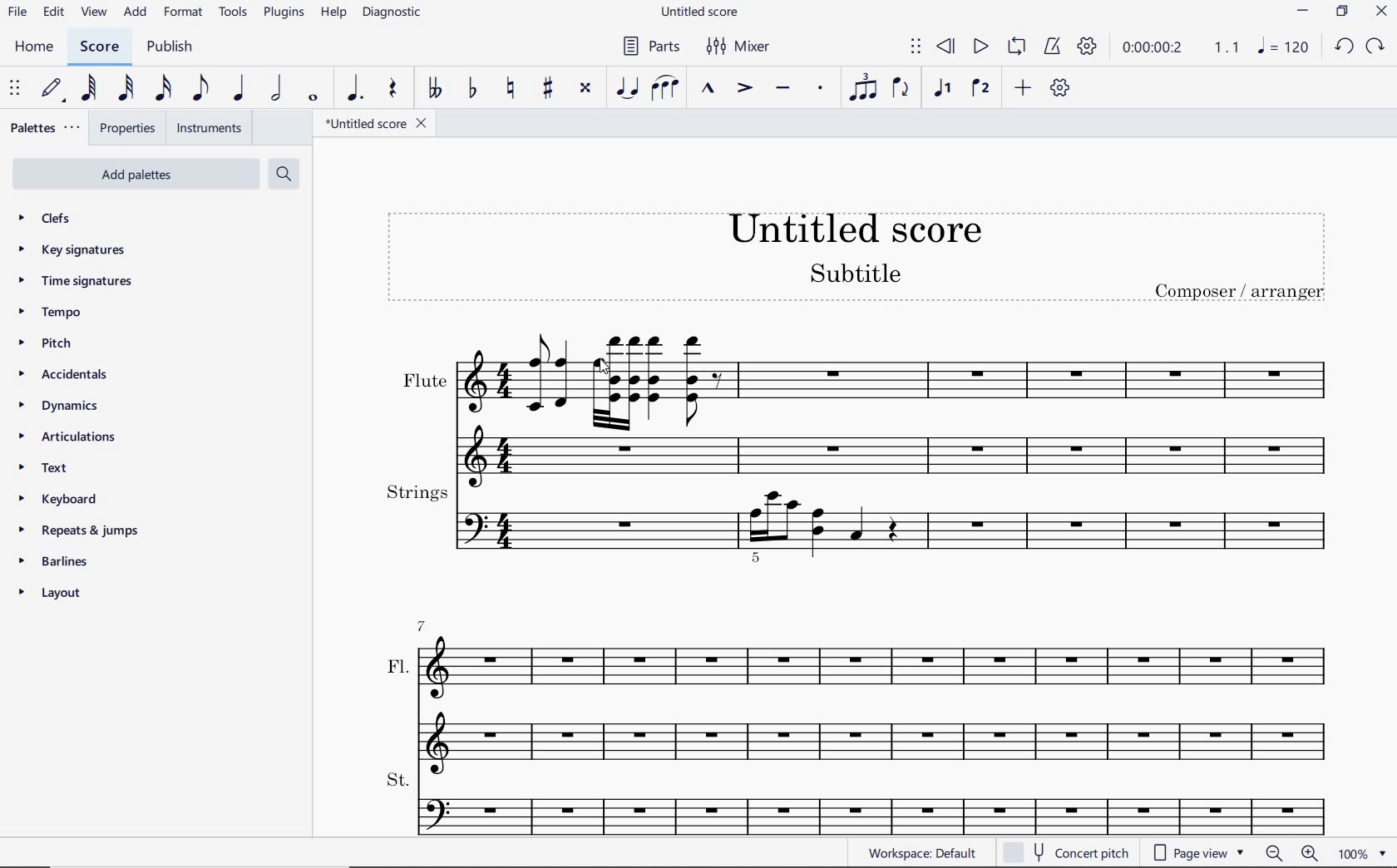 The image size is (1397, 868). What do you see at coordinates (868, 399) in the screenshot?
I see `flute` at bounding box center [868, 399].